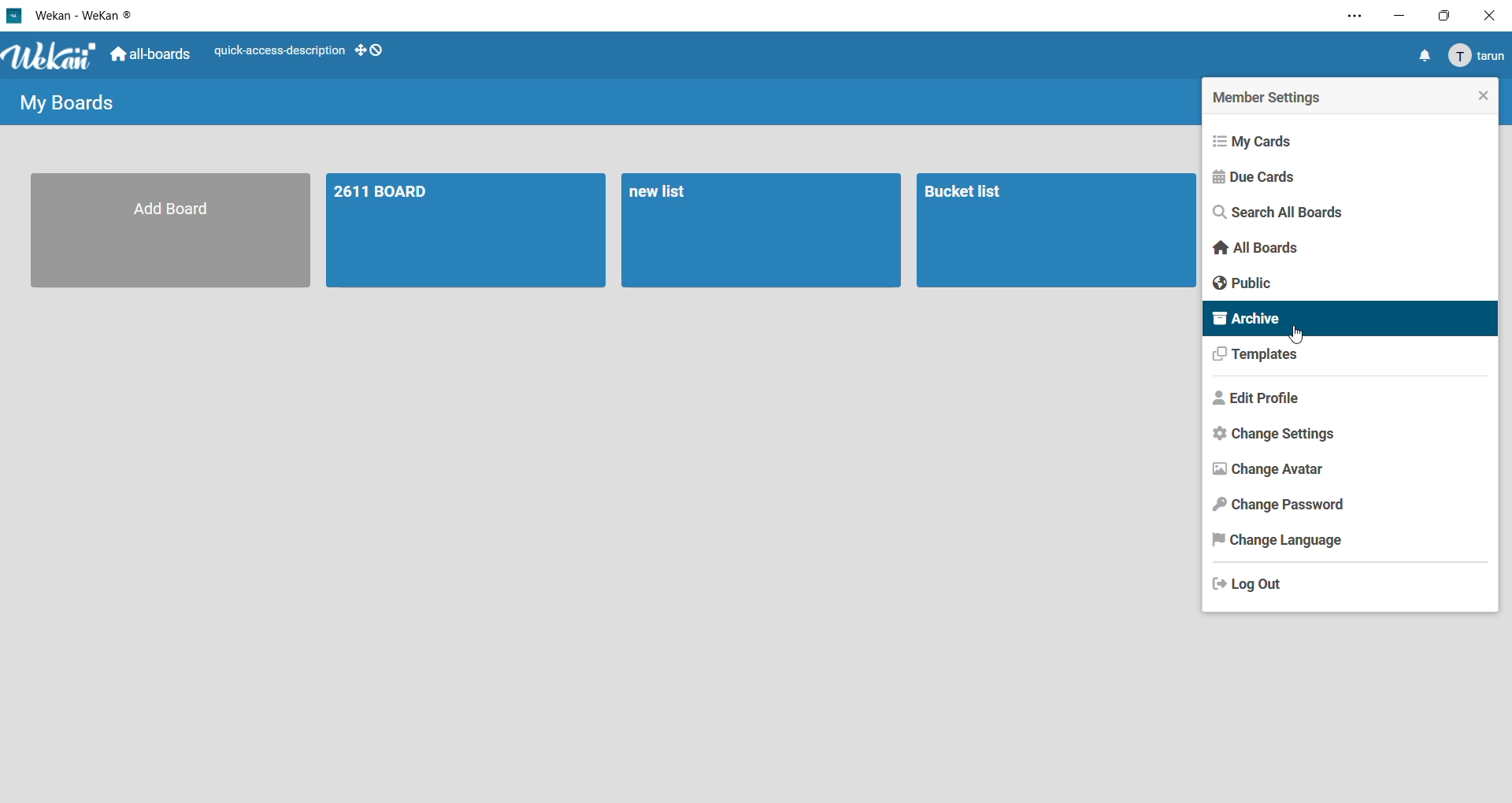  What do you see at coordinates (1262, 399) in the screenshot?
I see `edit profile` at bounding box center [1262, 399].